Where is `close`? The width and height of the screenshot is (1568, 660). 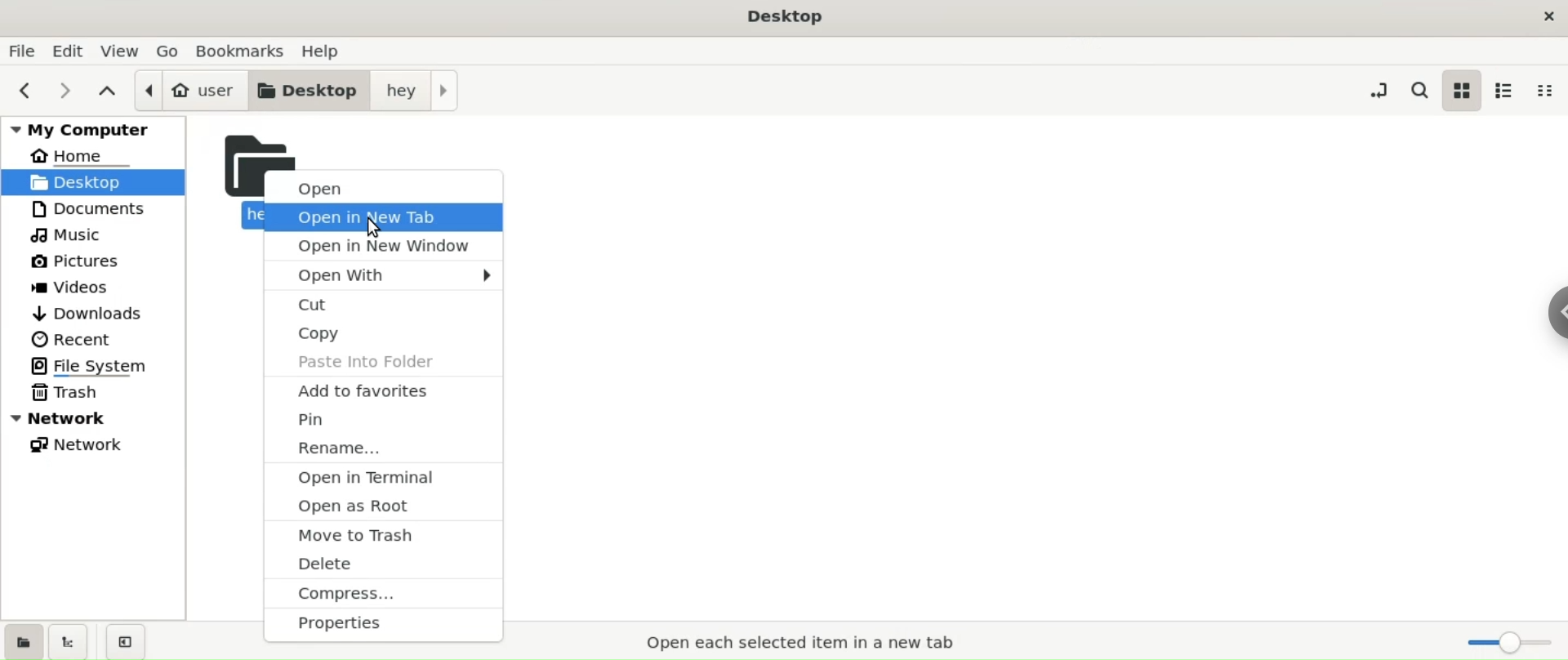 close is located at coordinates (1540, 14).